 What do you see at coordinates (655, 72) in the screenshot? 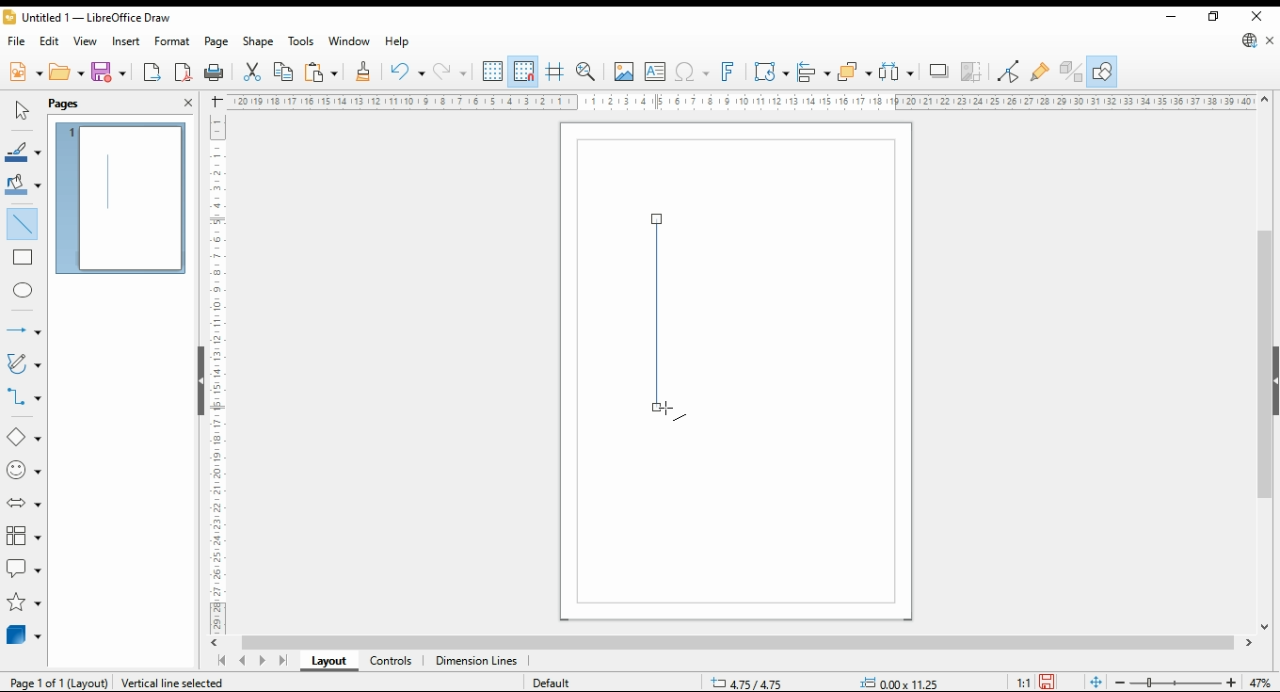
I see `insert text box` at bounding box center [655, 72].